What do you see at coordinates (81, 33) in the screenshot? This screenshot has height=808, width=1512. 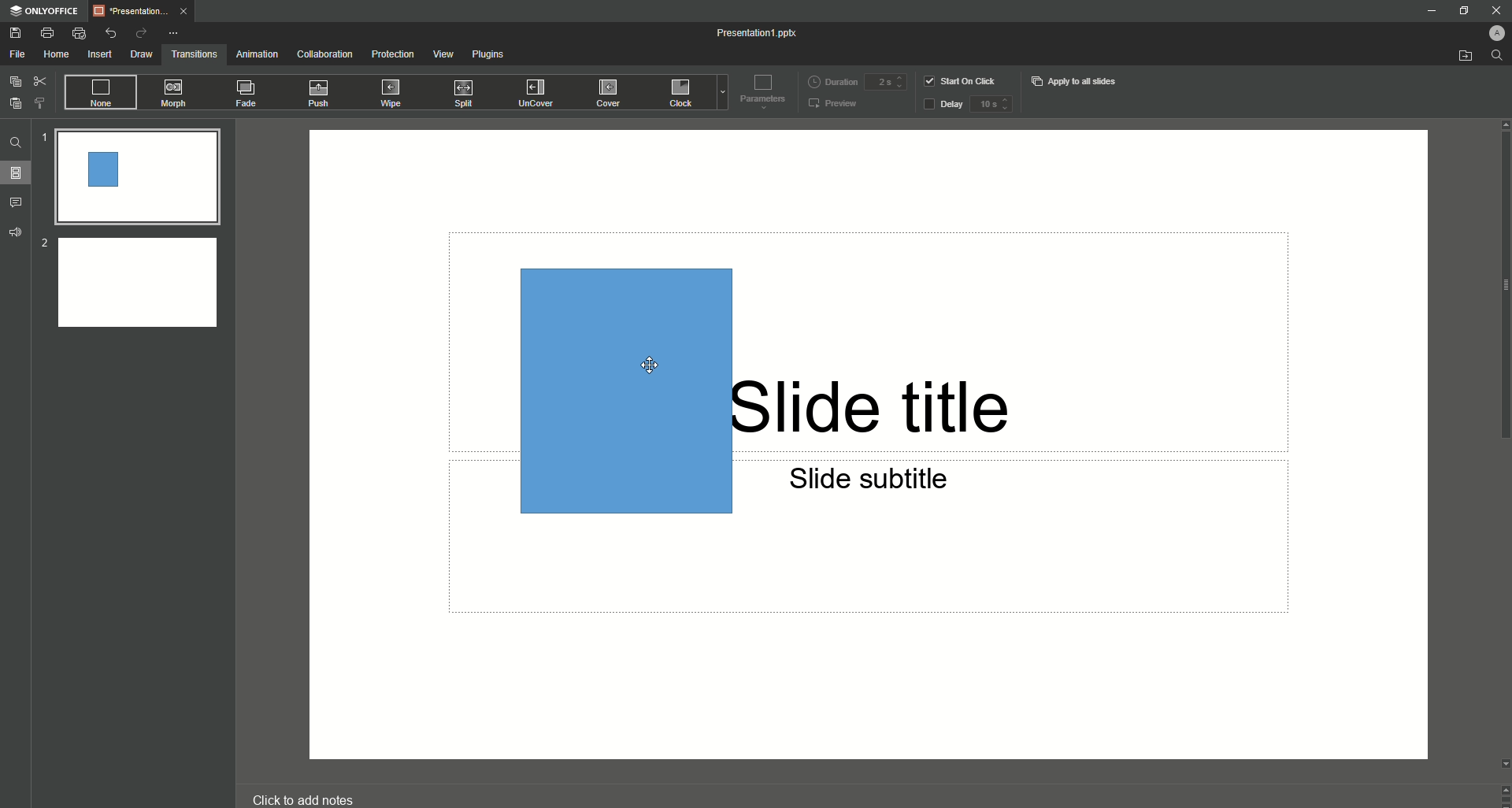 I see `Quick Print` at bounding box center [81, 33].